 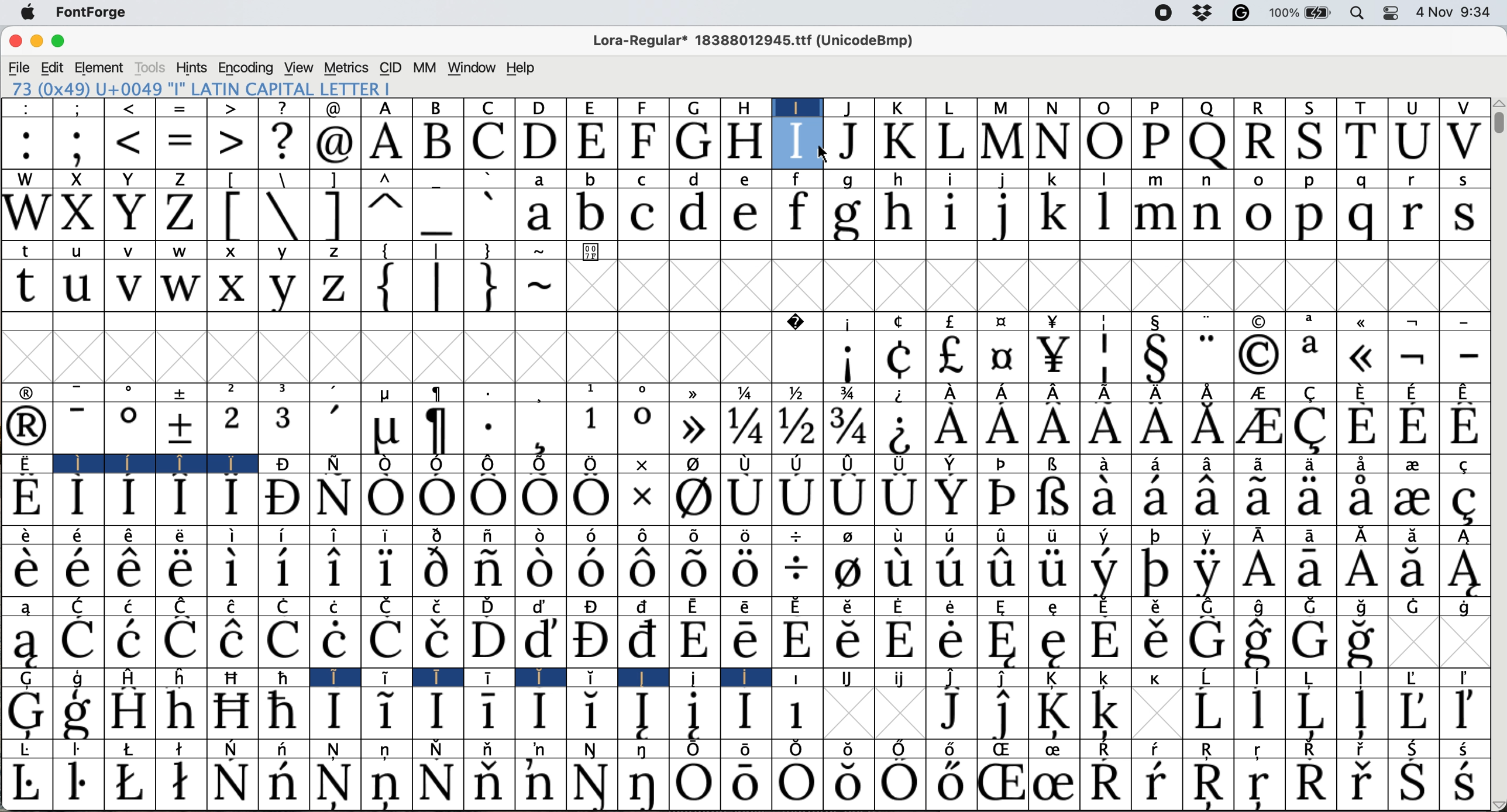 What do you see at coordinates (78, 642) in the screenshot?
I see `Symbol` at bounding box center [78, 642].